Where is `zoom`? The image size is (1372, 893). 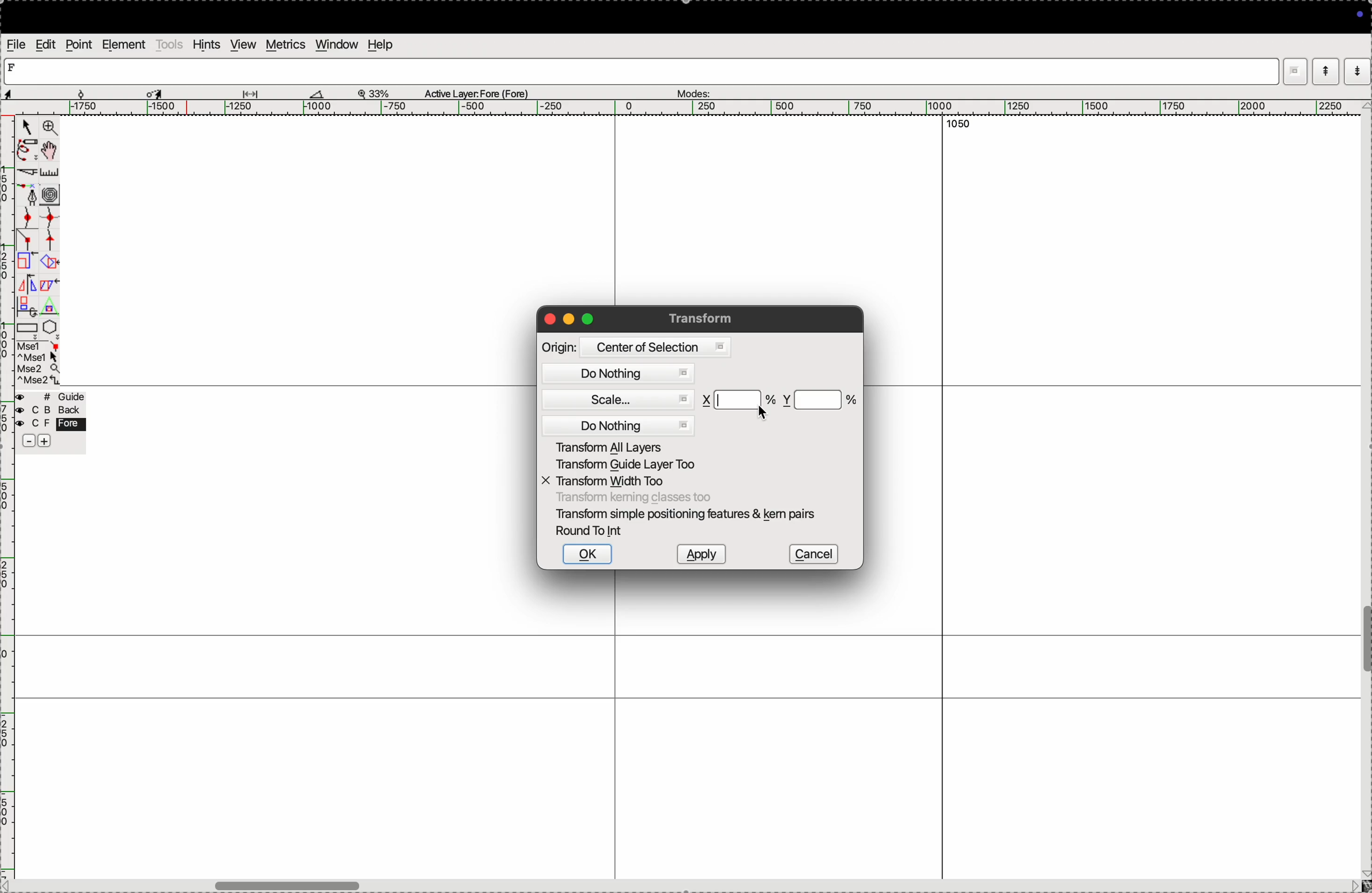 zoom is located at coordinates (50, 129).